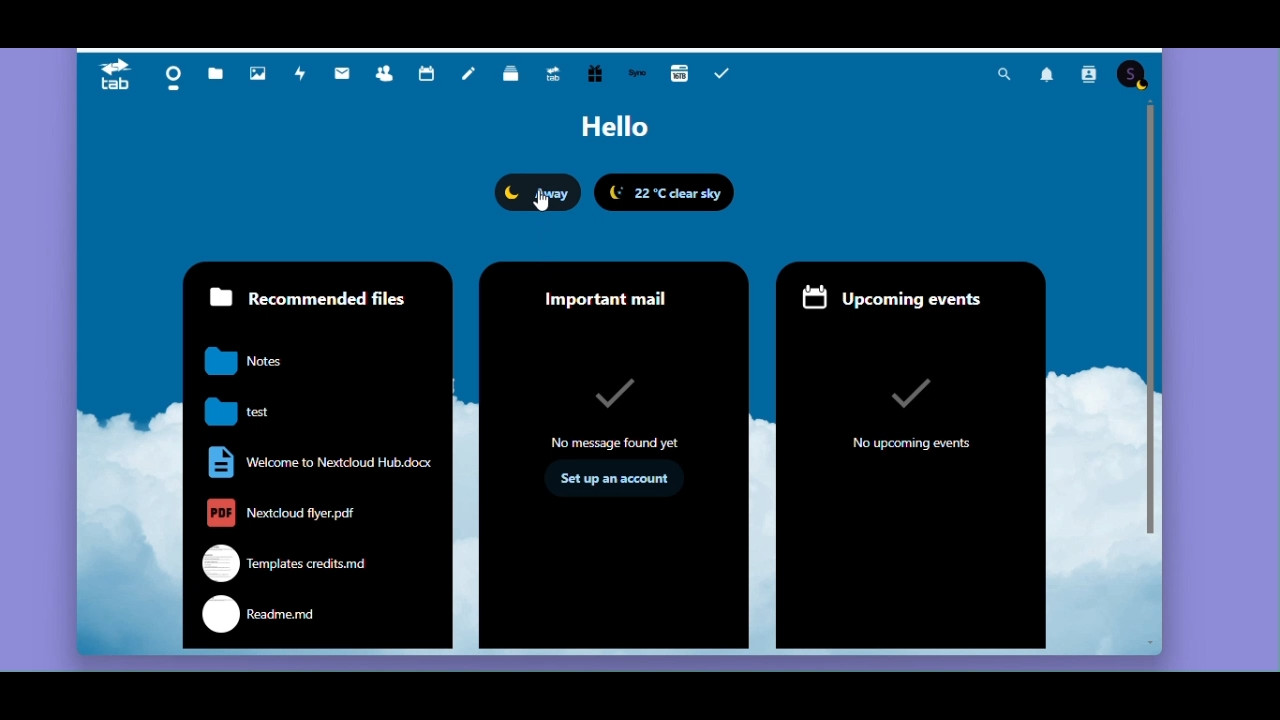 This screenshot has height=720, width=1280. I want to click on Important mail, so click(613, 291).